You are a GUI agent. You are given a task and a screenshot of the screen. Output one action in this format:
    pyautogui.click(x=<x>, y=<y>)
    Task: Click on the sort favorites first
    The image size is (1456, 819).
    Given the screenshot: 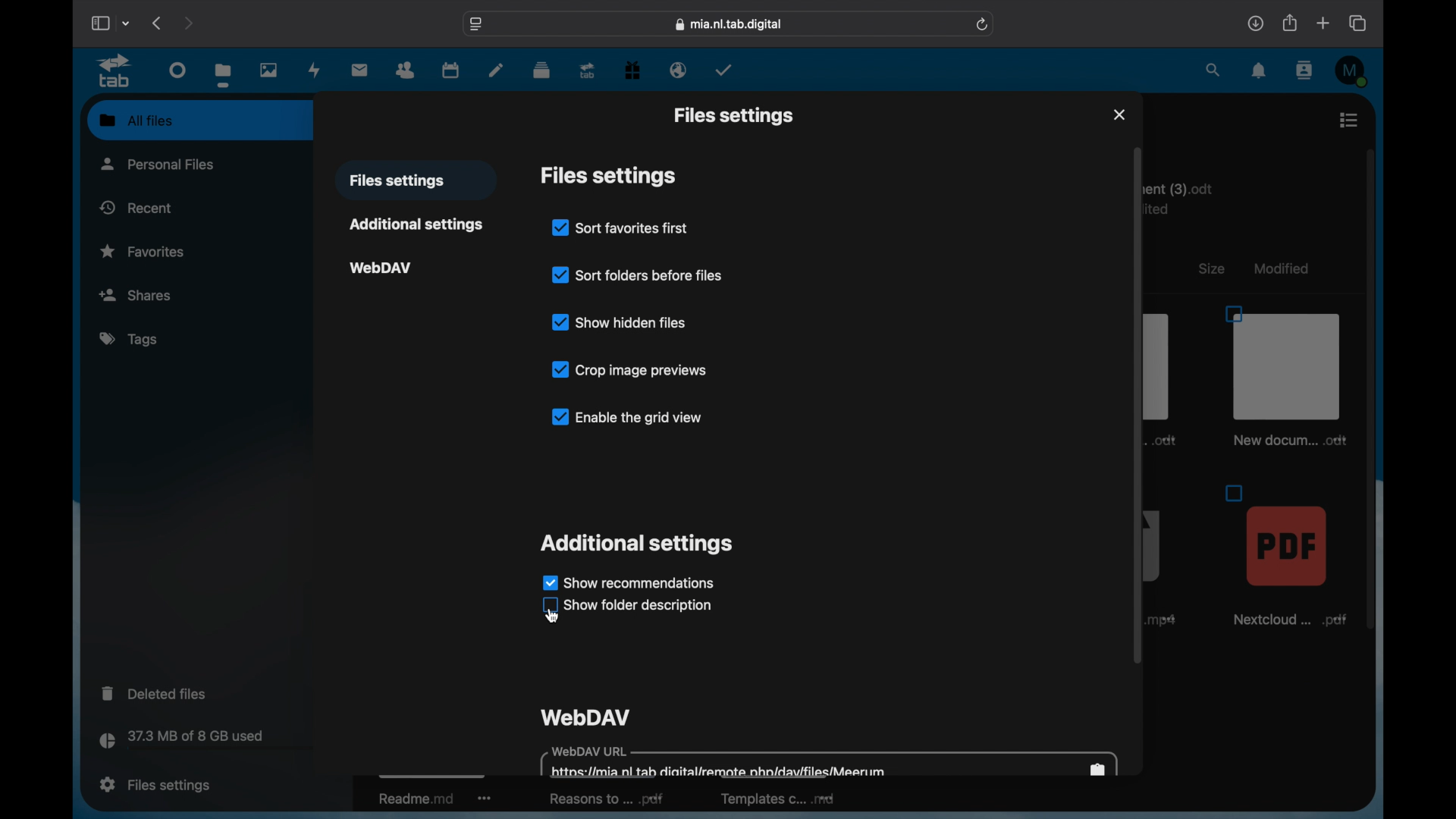 What is the action you would take?
    pyautogui.click(x=620, y=227)
    